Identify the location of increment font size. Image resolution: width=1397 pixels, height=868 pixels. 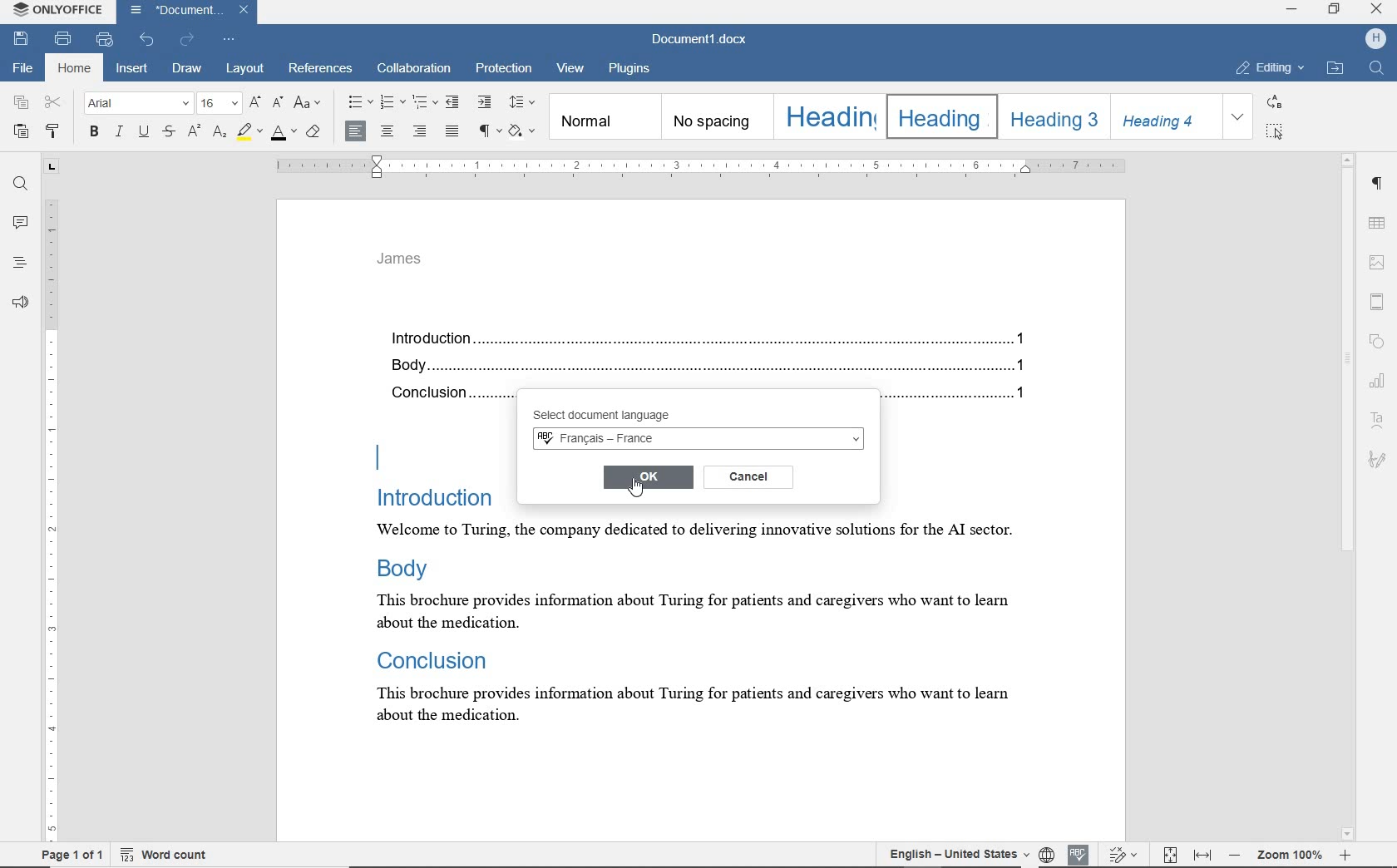
(254, 103).